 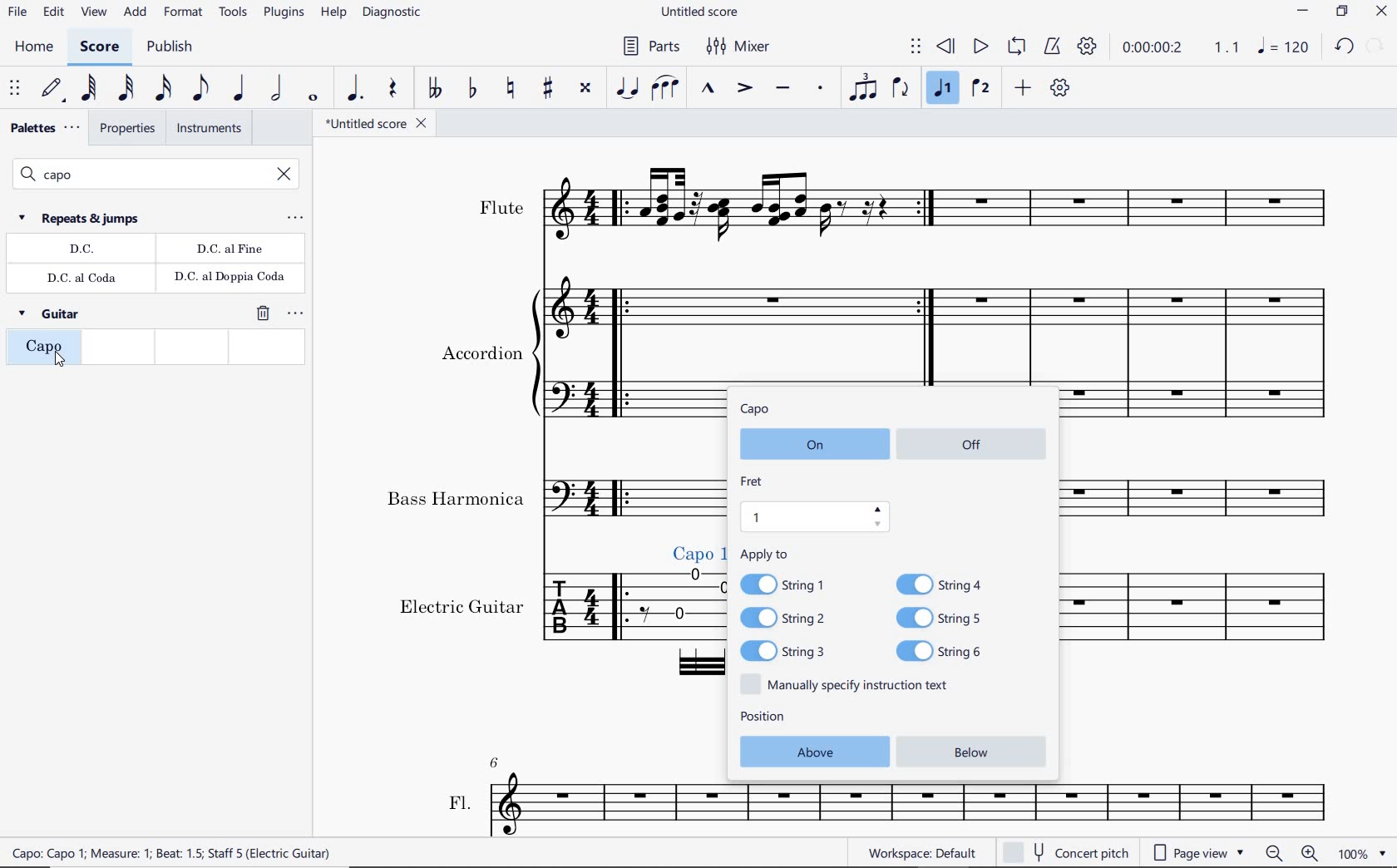 I want to click on Instrument: Bass Harmonica, so click(x=1207, y=501).